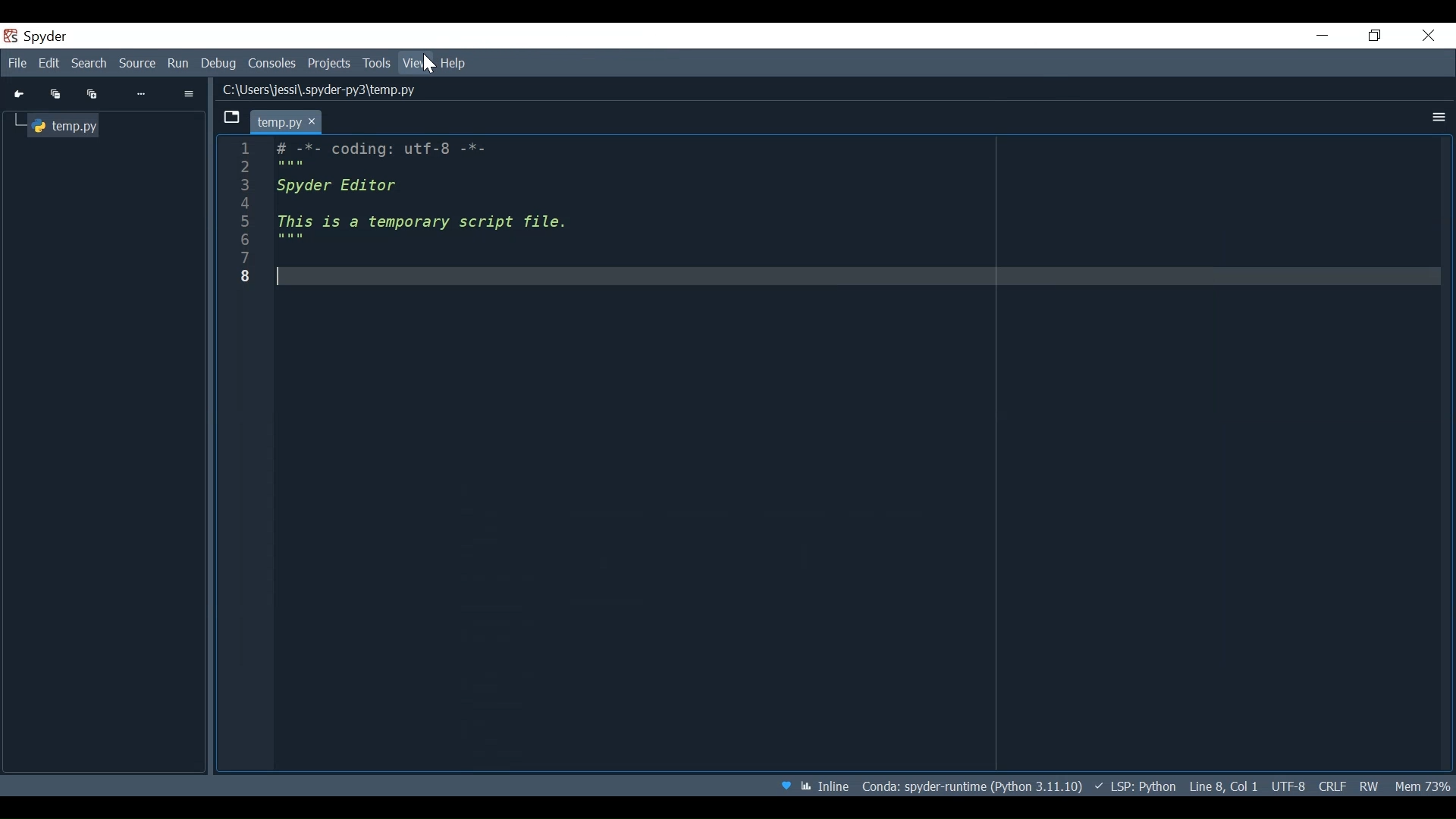 Image resolution: width=1456 pixels, height=819 pixels. What do you see at coordinates (1332, 786) in the screenshot?
I see `File EQL Status` at bounding box center [1332, 786].